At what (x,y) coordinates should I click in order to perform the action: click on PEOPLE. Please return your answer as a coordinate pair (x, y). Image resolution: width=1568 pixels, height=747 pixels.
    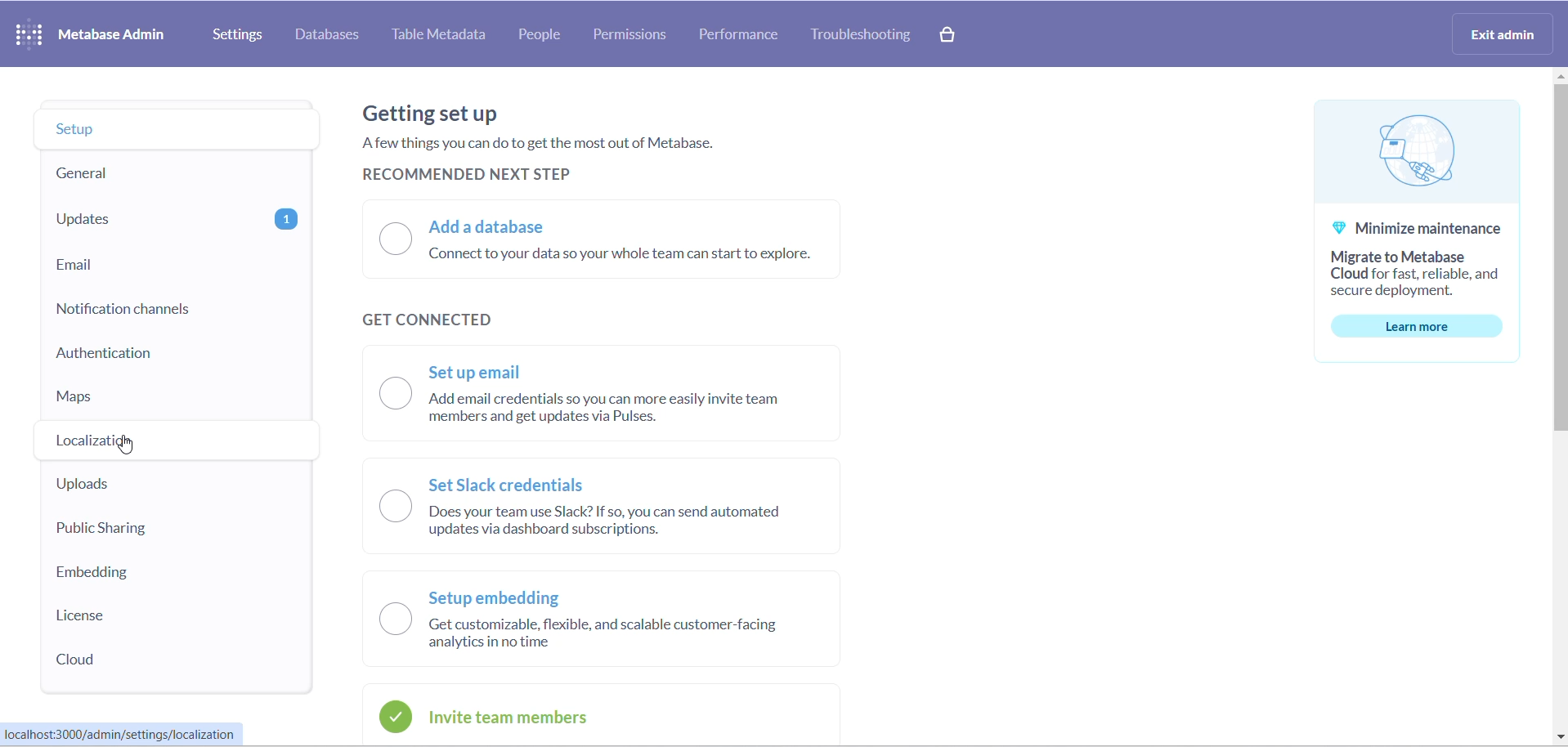
    Looking at the image, I should click on (548, 35).